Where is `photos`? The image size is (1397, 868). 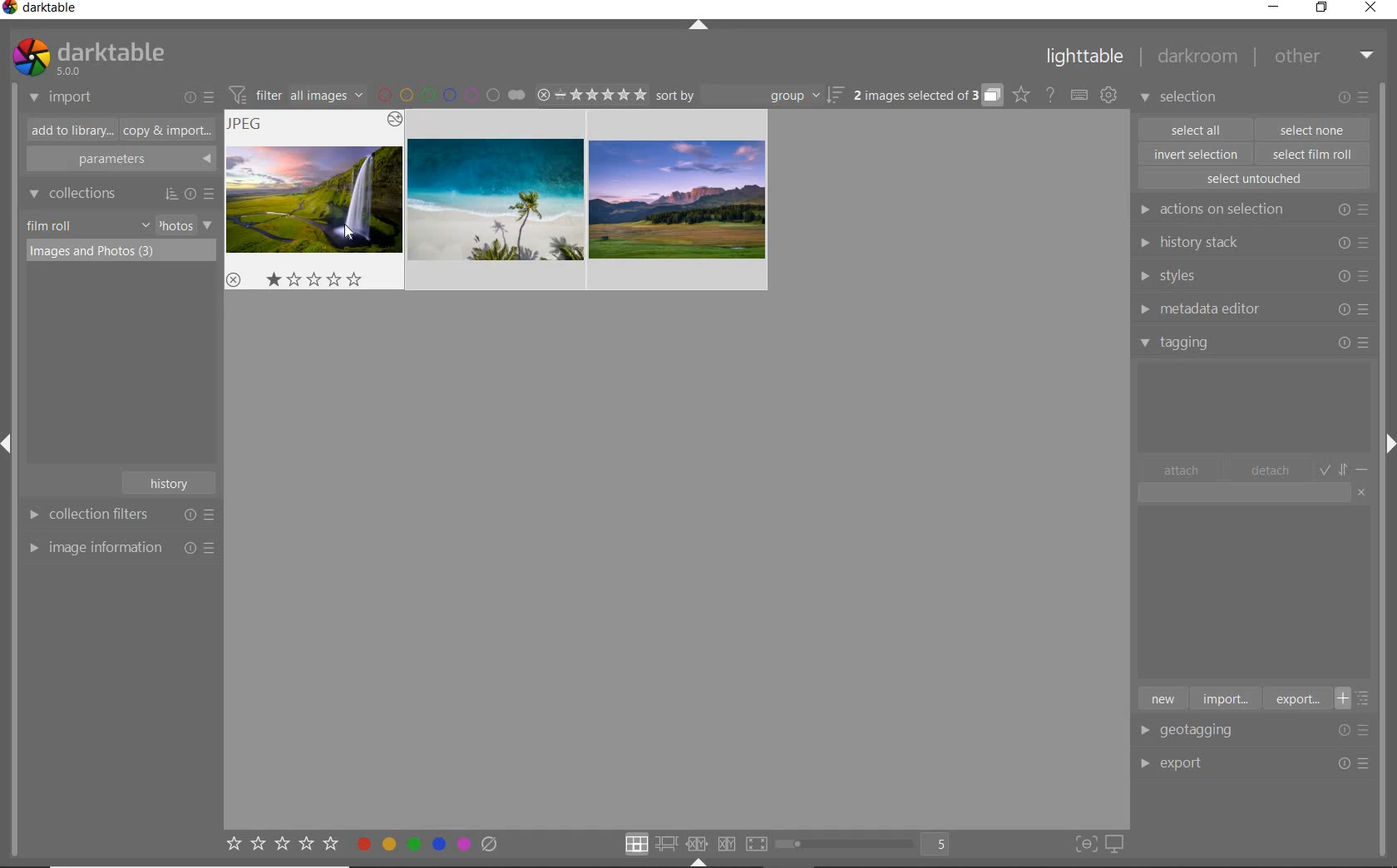 photos is located at coordinates (175, 225).